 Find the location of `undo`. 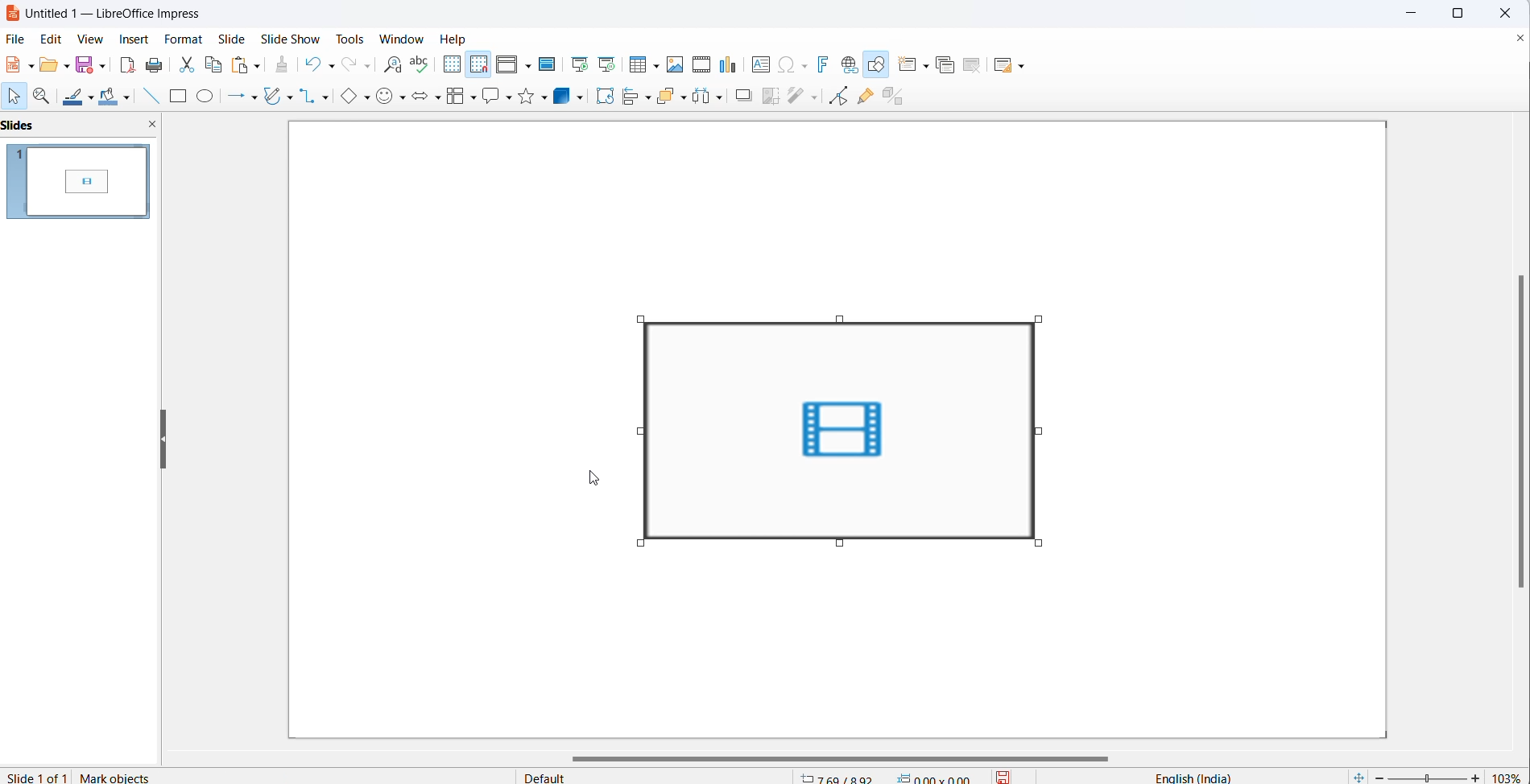

undo is located at coordinates (310, 64).